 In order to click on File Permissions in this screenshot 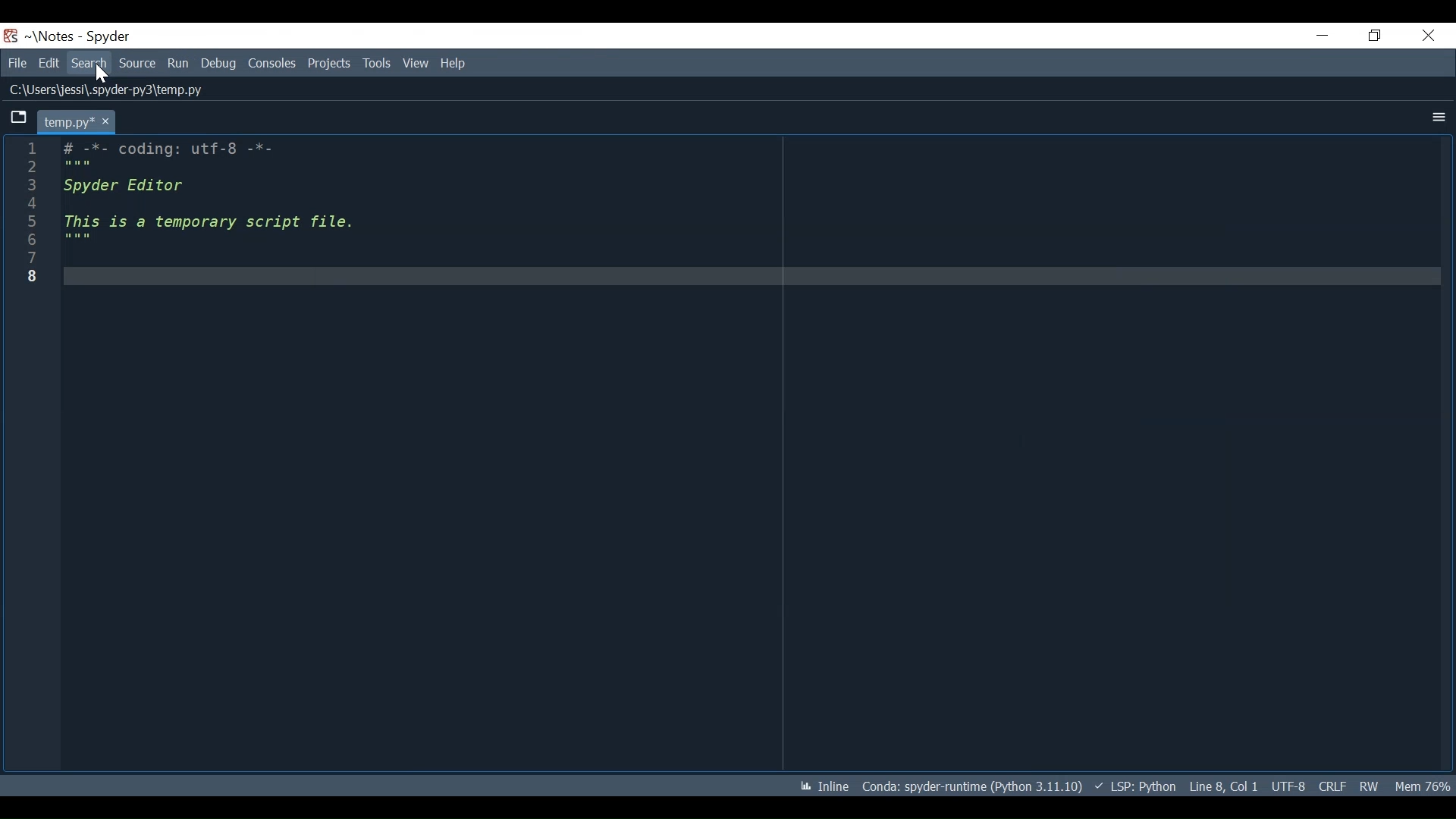, I will do `click(1373, 783)`.